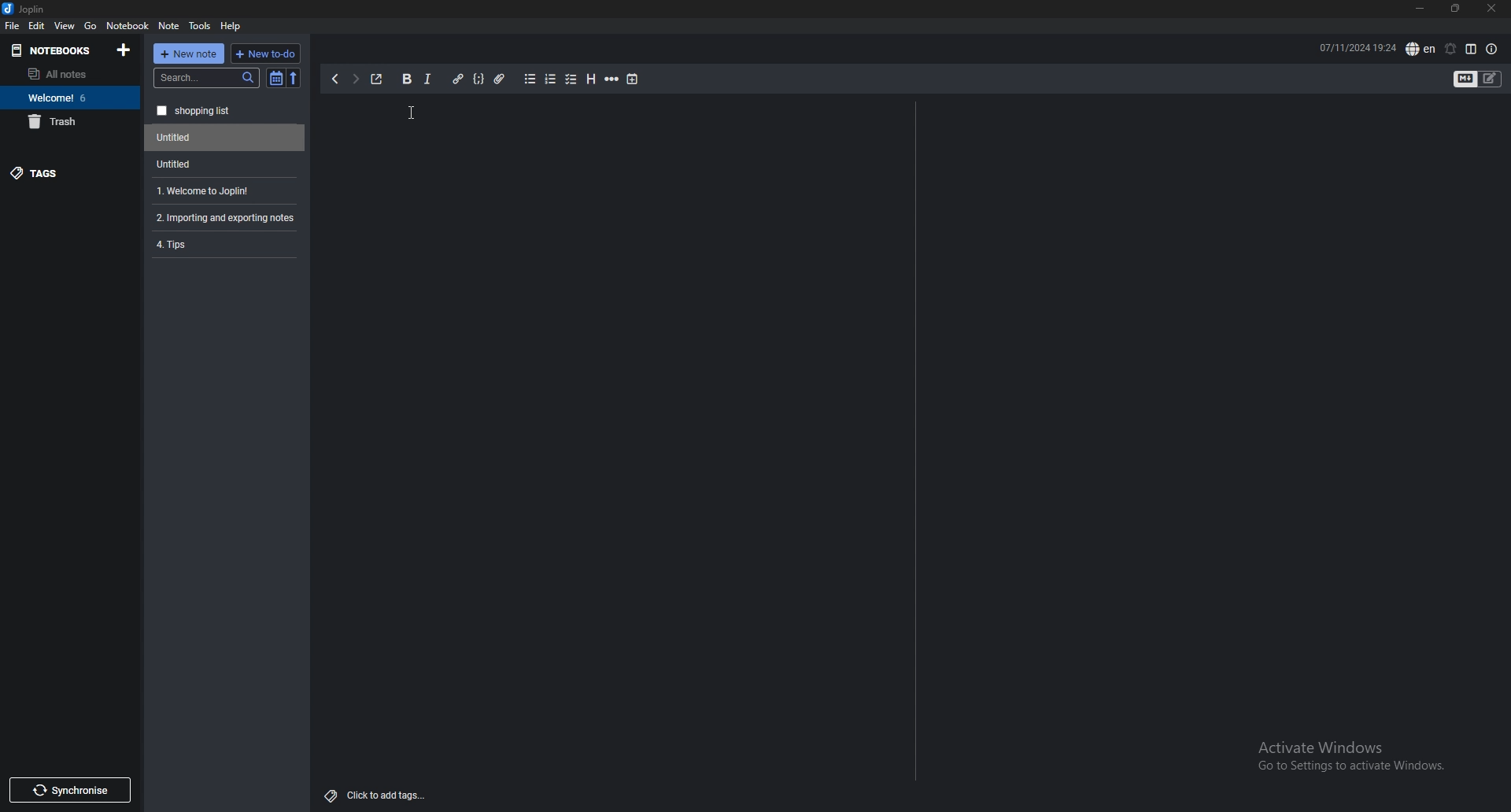  I want to click on Untitled, so click(225, 138).